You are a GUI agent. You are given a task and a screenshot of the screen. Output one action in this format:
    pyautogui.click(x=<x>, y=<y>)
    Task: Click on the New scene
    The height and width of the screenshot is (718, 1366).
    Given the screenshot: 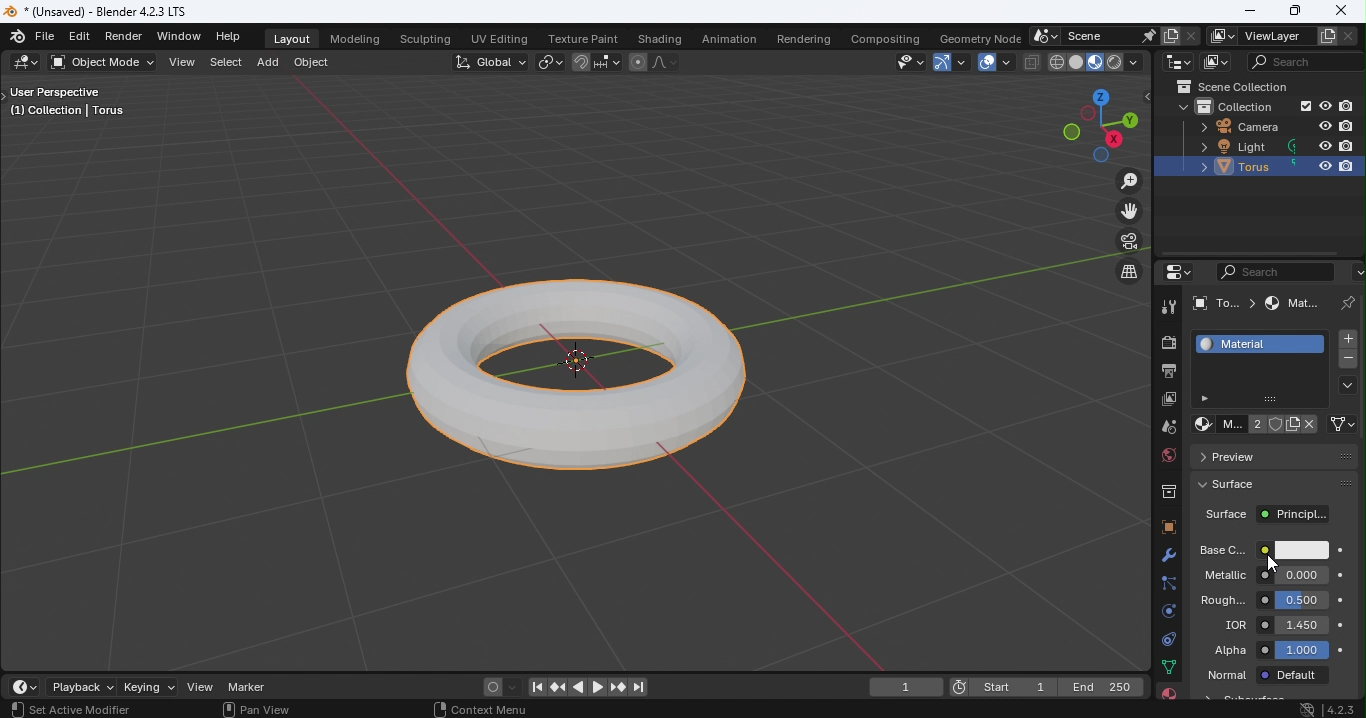 What is the action you would take?
    pyautogui.click(x=1168, y=35)
    